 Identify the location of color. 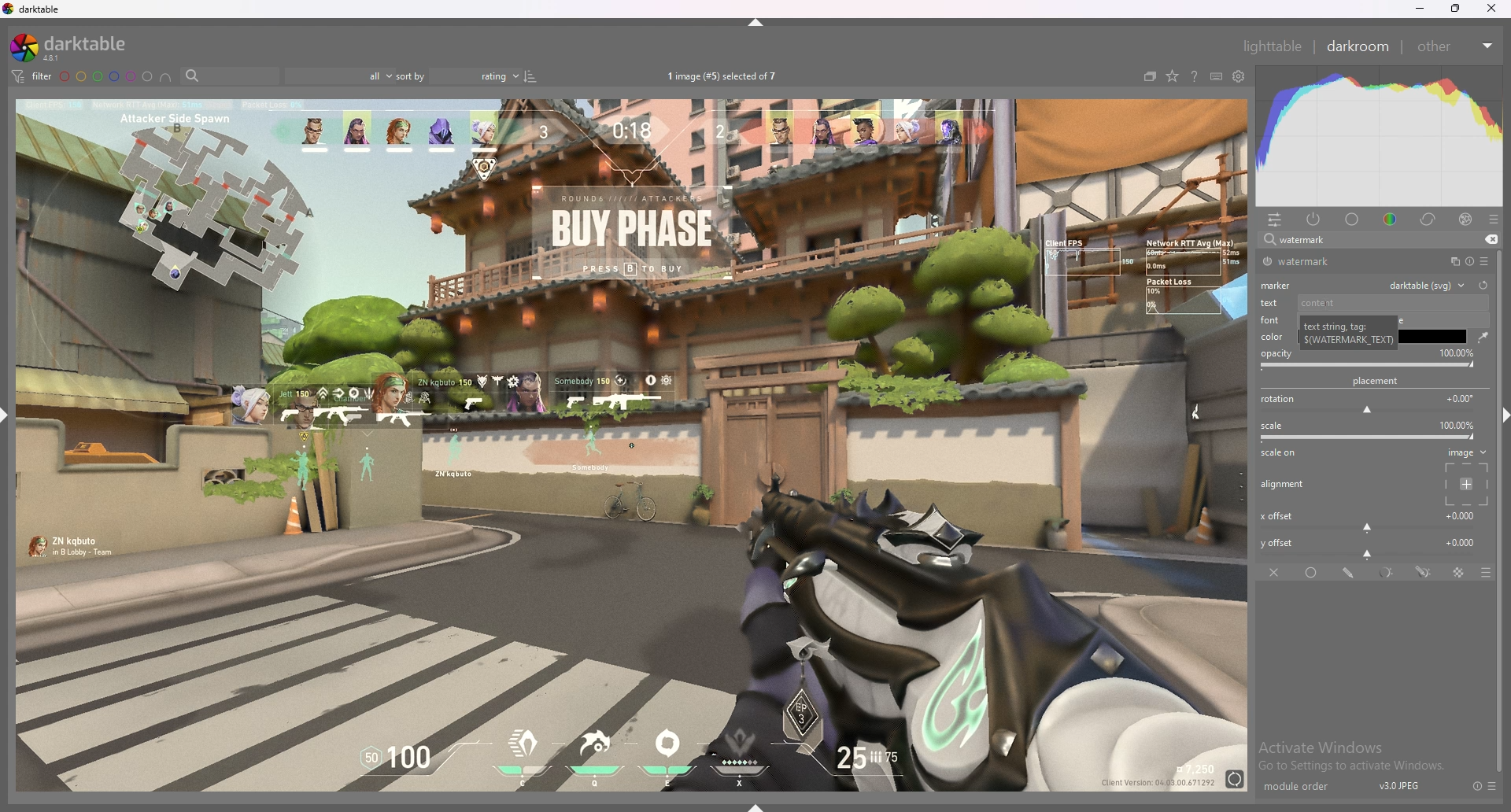
(1274, 336).